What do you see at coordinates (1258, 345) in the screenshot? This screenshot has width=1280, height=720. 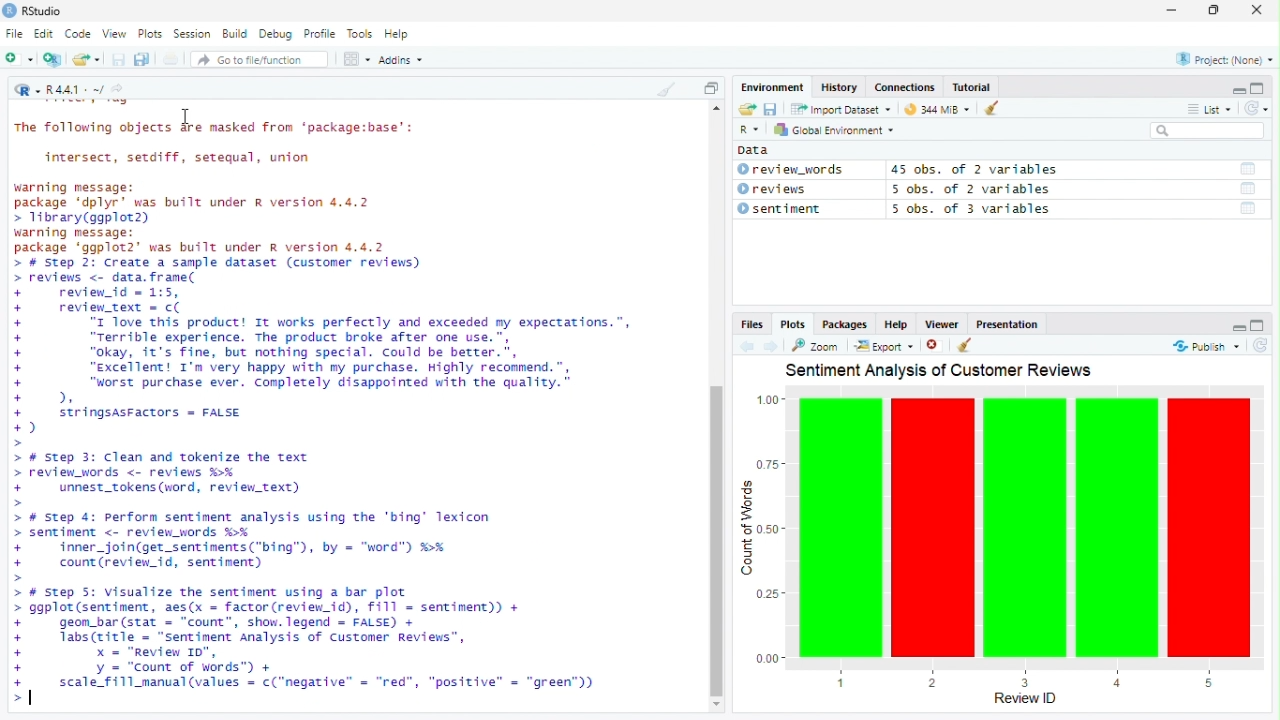 I see `Refresh` at bounding box center [1258, 345].